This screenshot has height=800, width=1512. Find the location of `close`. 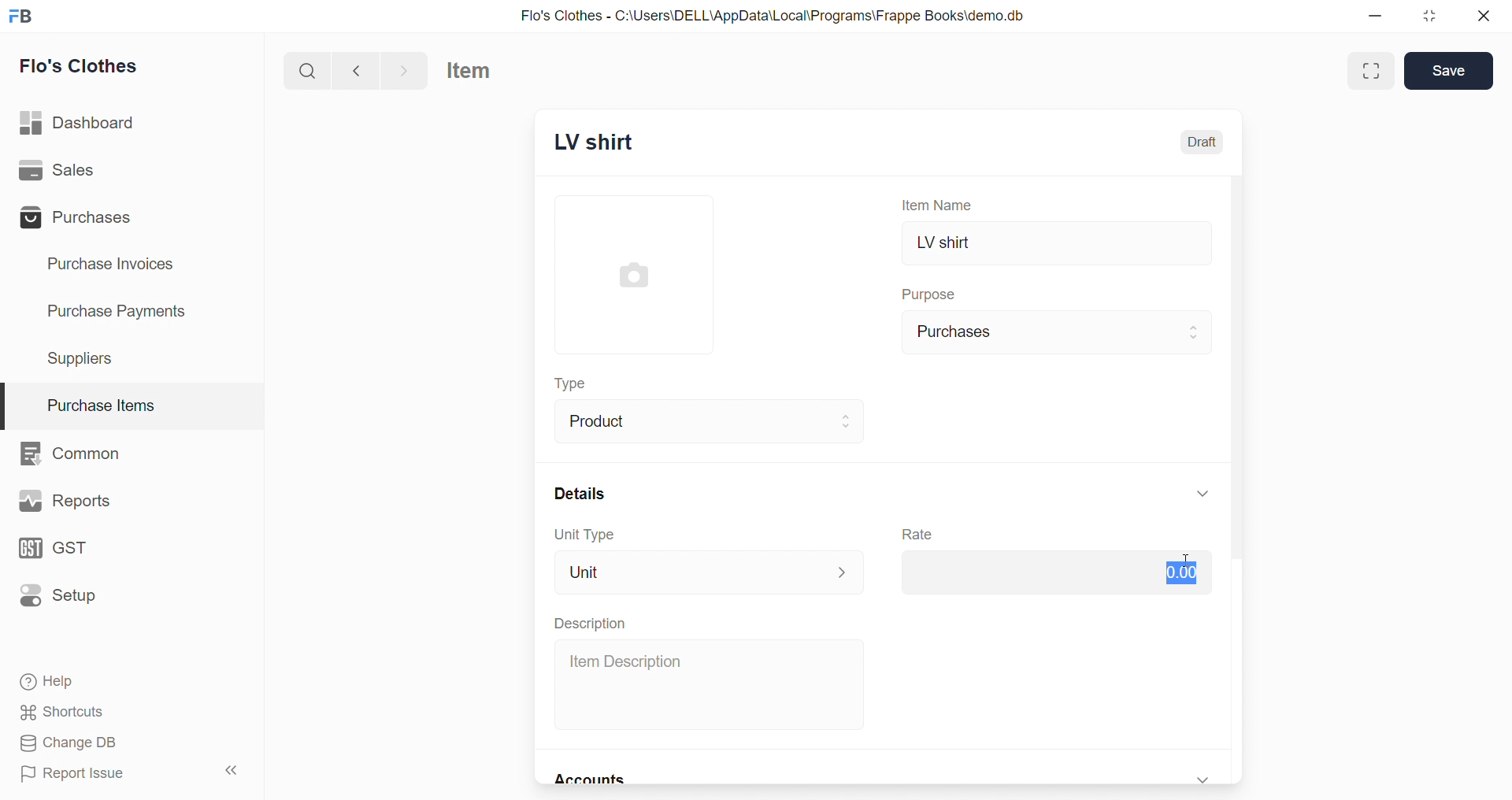

close is located at coordinates (1478, 16).